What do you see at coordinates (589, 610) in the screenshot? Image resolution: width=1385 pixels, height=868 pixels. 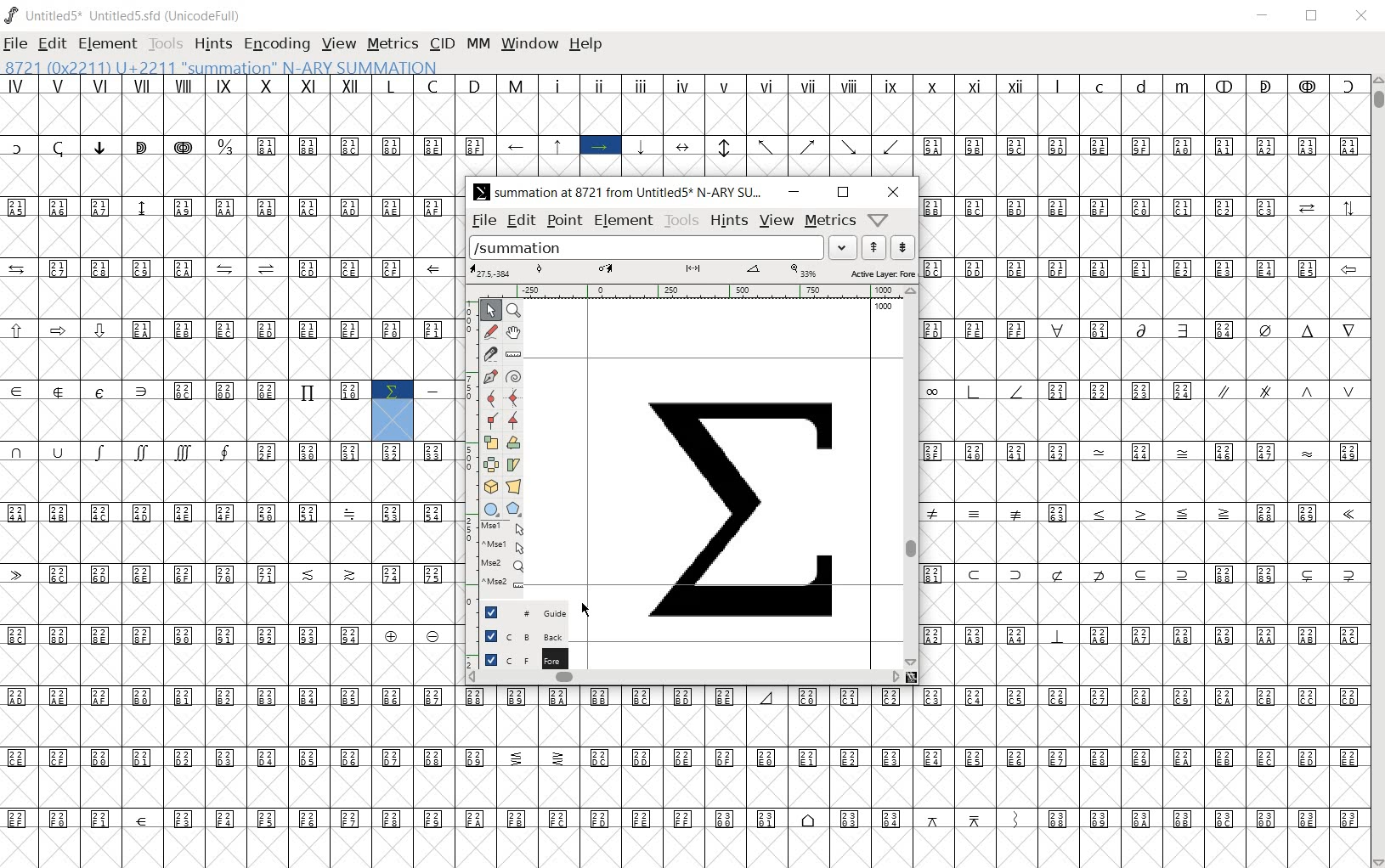 I see `CURSOR` at bounding box center [589, 610].